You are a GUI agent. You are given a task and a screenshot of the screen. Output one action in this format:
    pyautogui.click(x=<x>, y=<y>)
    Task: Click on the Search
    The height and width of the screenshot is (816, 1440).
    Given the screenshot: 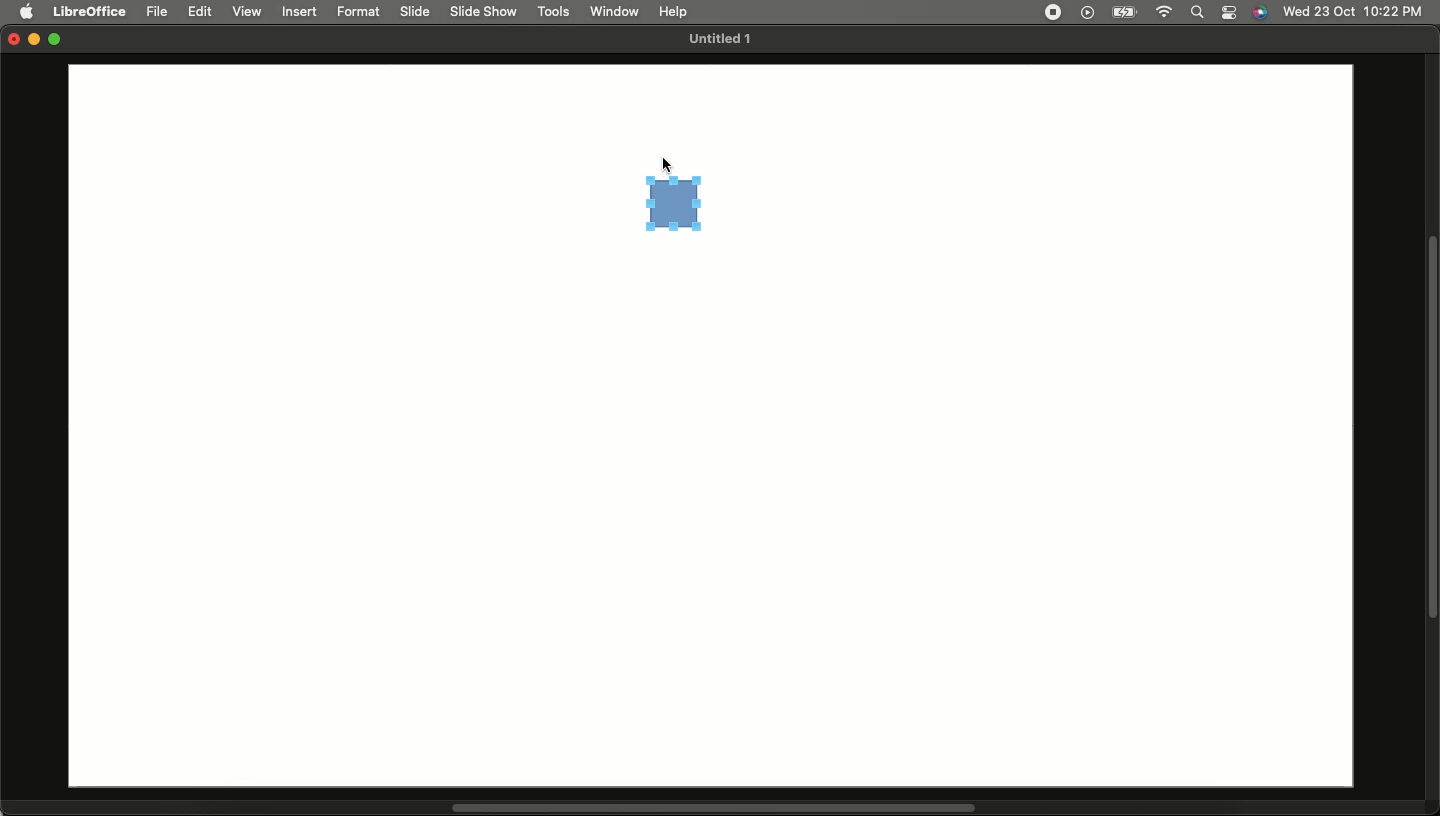 What is the action you would take?
    pyautogui.click(x=1196, y=13)
    